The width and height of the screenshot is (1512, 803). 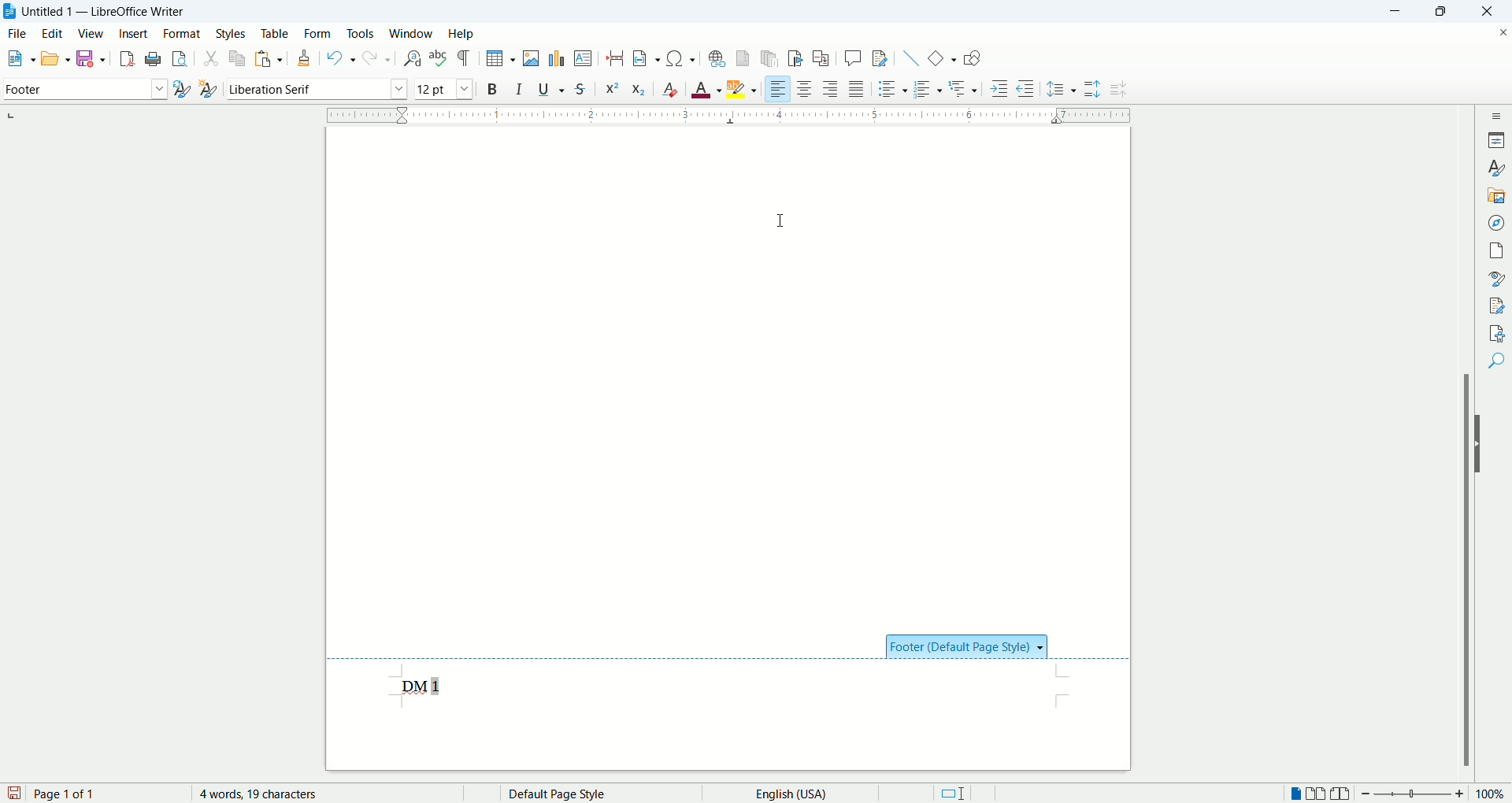 I want to click on insert text, so click(x=582, y=59).